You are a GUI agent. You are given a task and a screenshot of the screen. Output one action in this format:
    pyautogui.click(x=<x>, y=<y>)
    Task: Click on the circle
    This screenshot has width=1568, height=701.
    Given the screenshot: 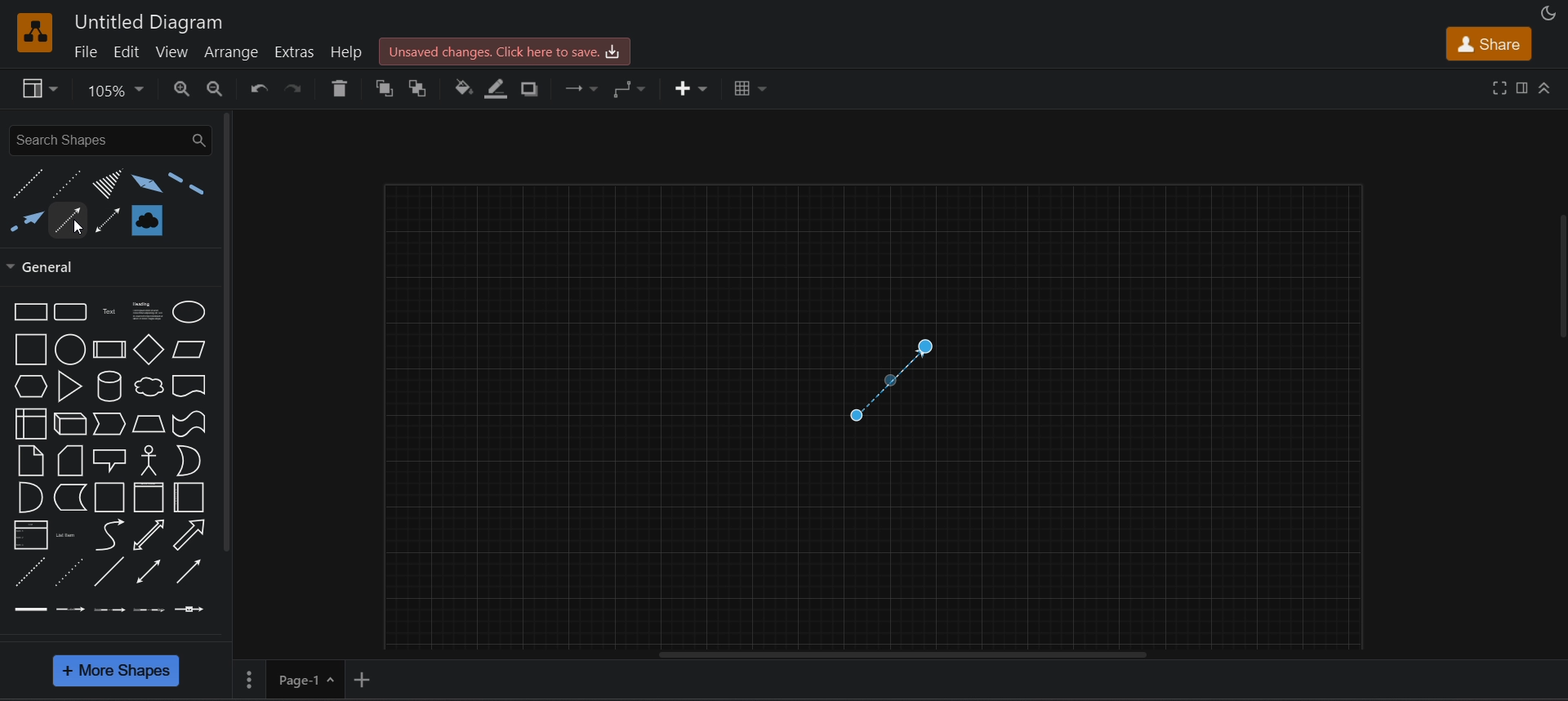 What is the action you would take?
    pyautogui.click(x=70, y=349)
    